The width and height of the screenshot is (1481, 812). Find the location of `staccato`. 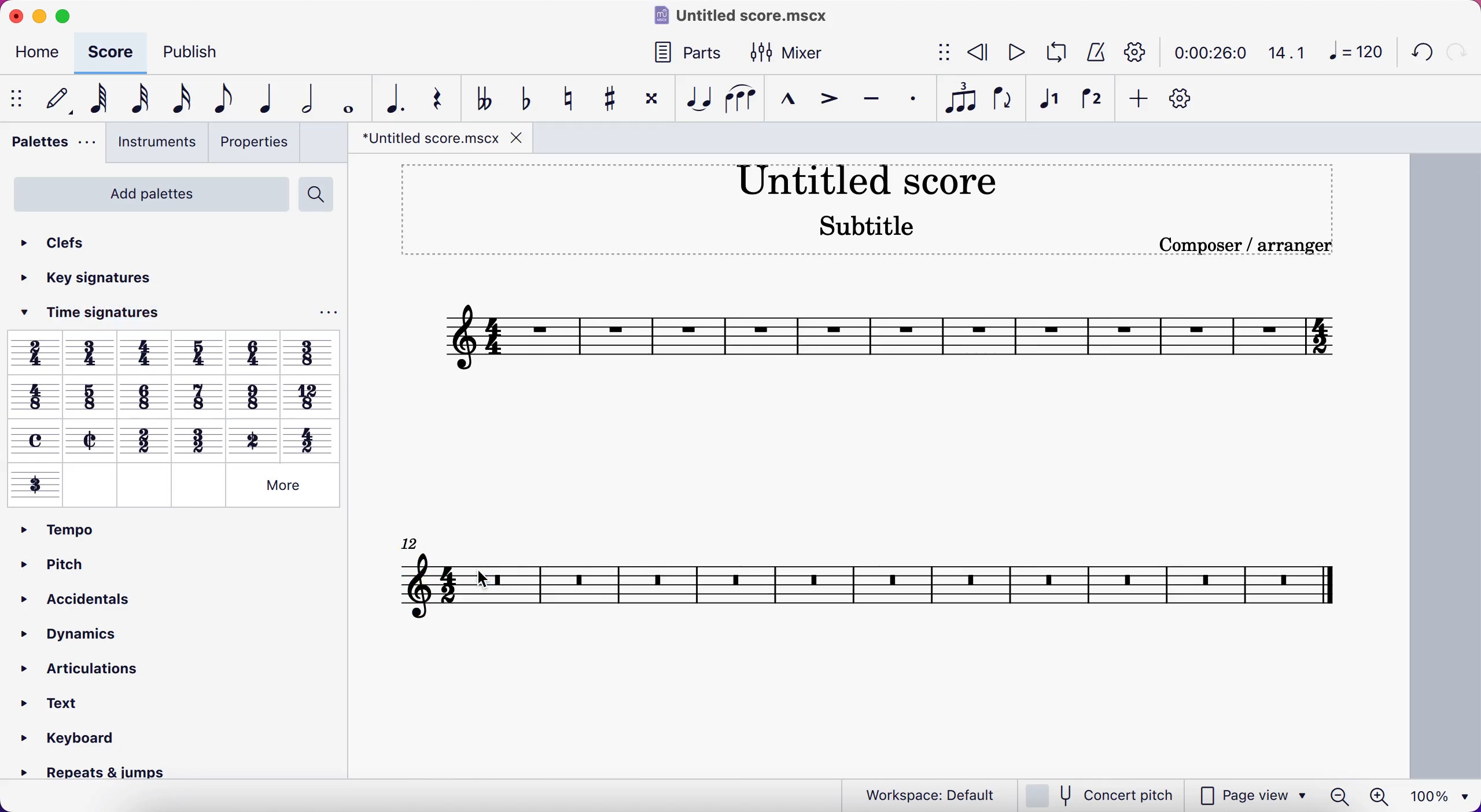

staccato is located at coordinates (911, 100).